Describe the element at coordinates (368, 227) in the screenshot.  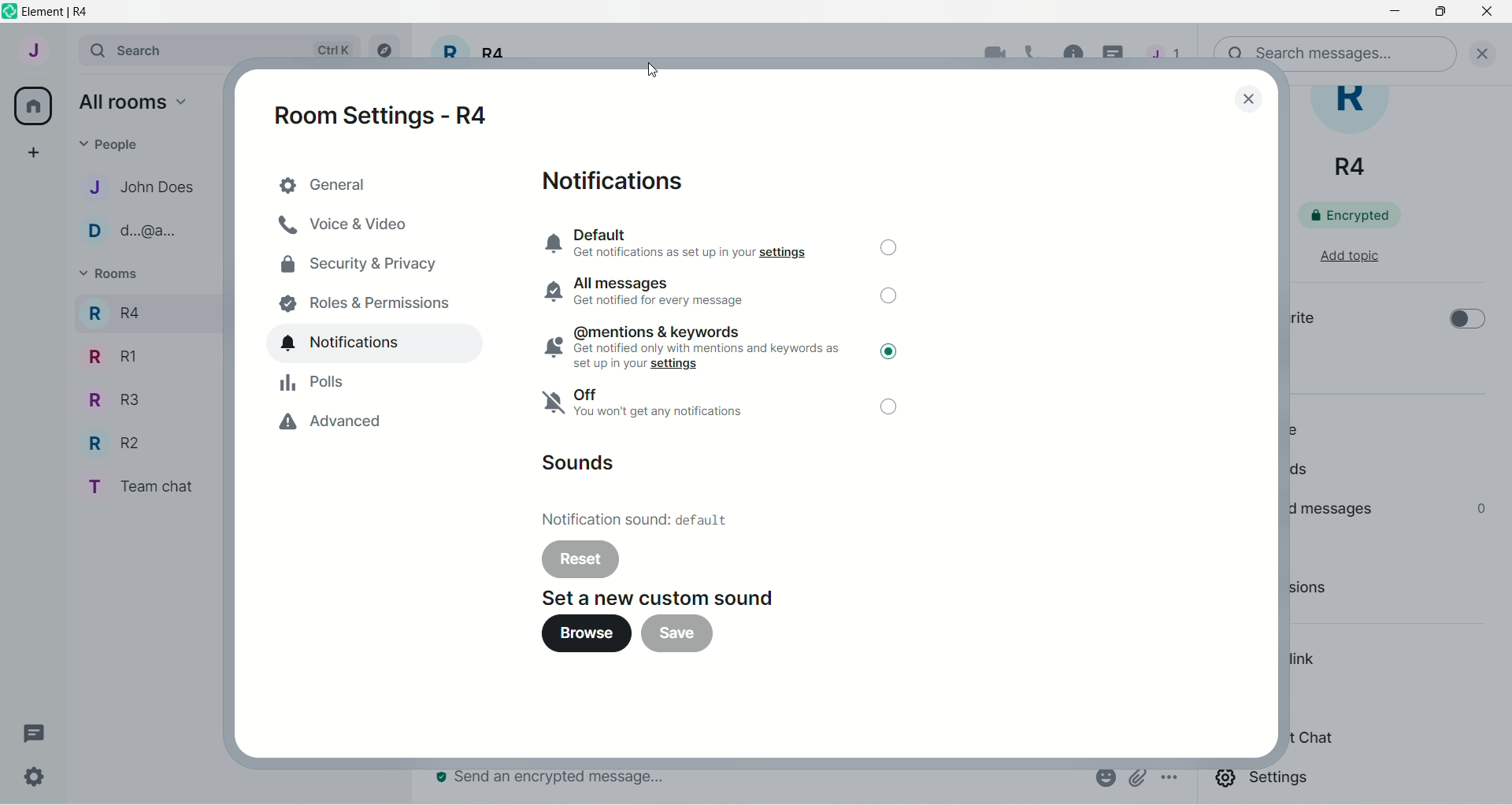
I see `Voice & Video` at that location.